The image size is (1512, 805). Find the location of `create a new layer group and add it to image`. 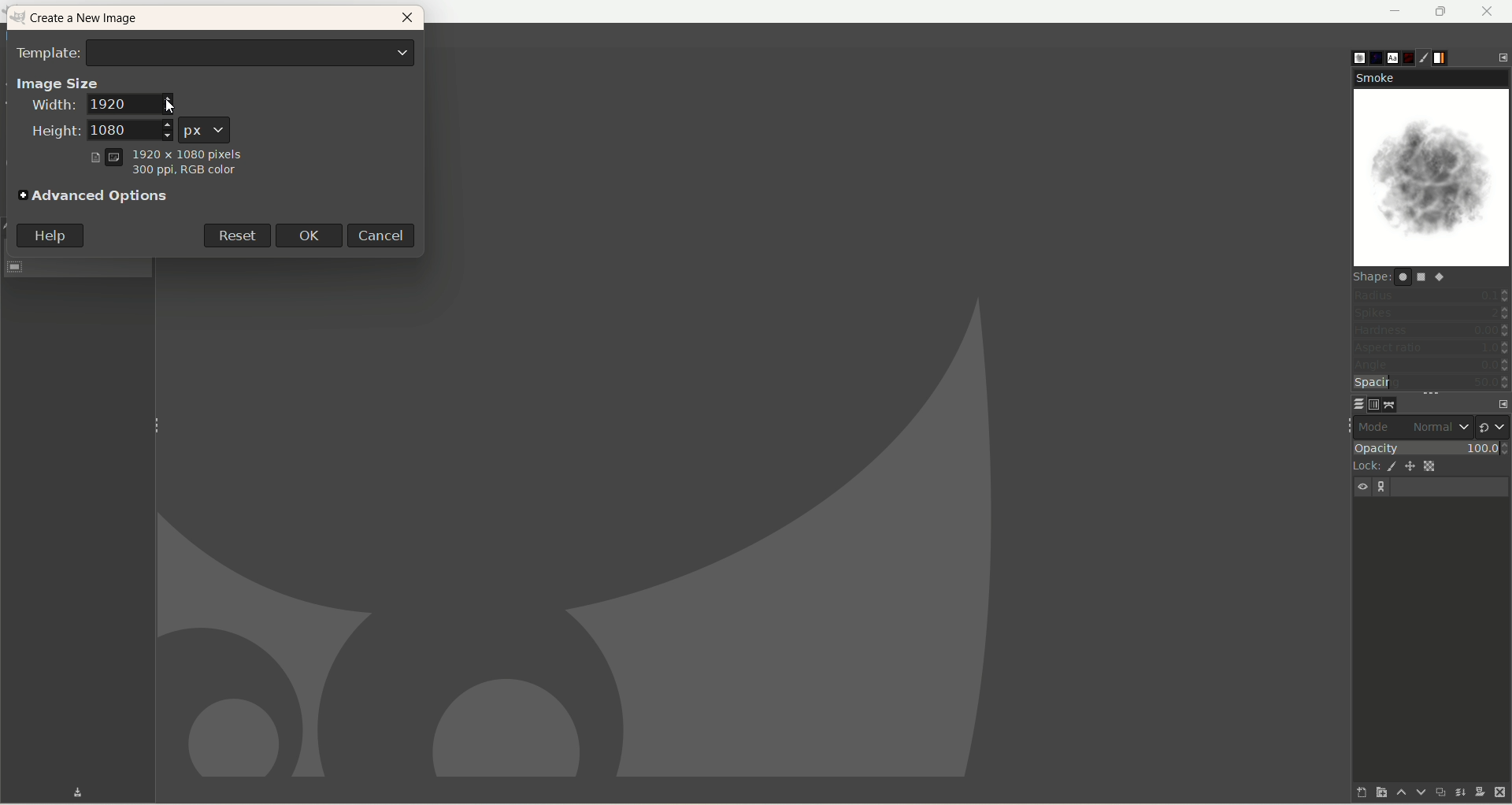

create a new layer group and add it to image is located at coordinates (1373, 793).